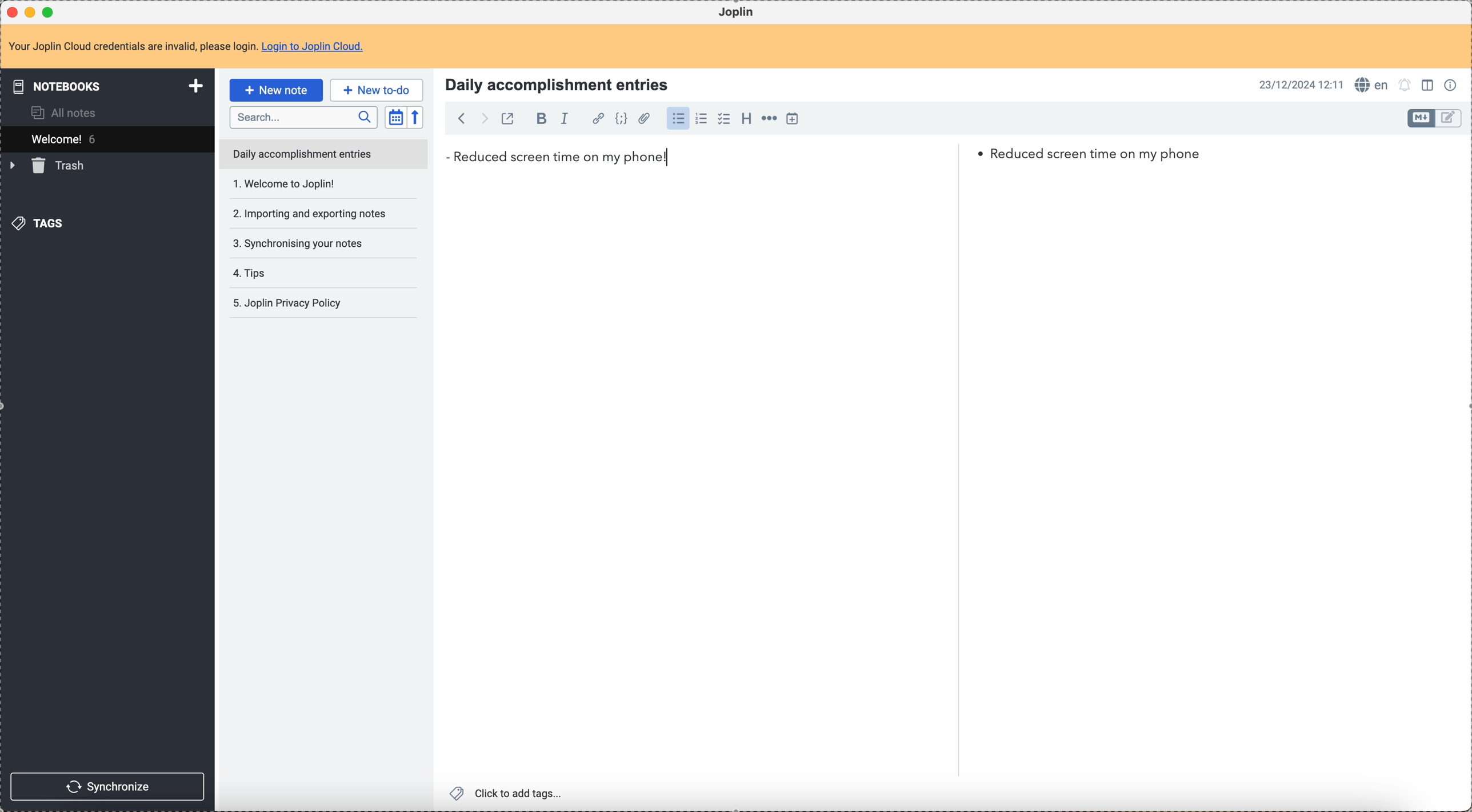 The width and height of the screenshot is (1472, 812). What do you see at coordinates (555, 83) in the screenshot?
I see `Title` at bounding box center [555, 83].